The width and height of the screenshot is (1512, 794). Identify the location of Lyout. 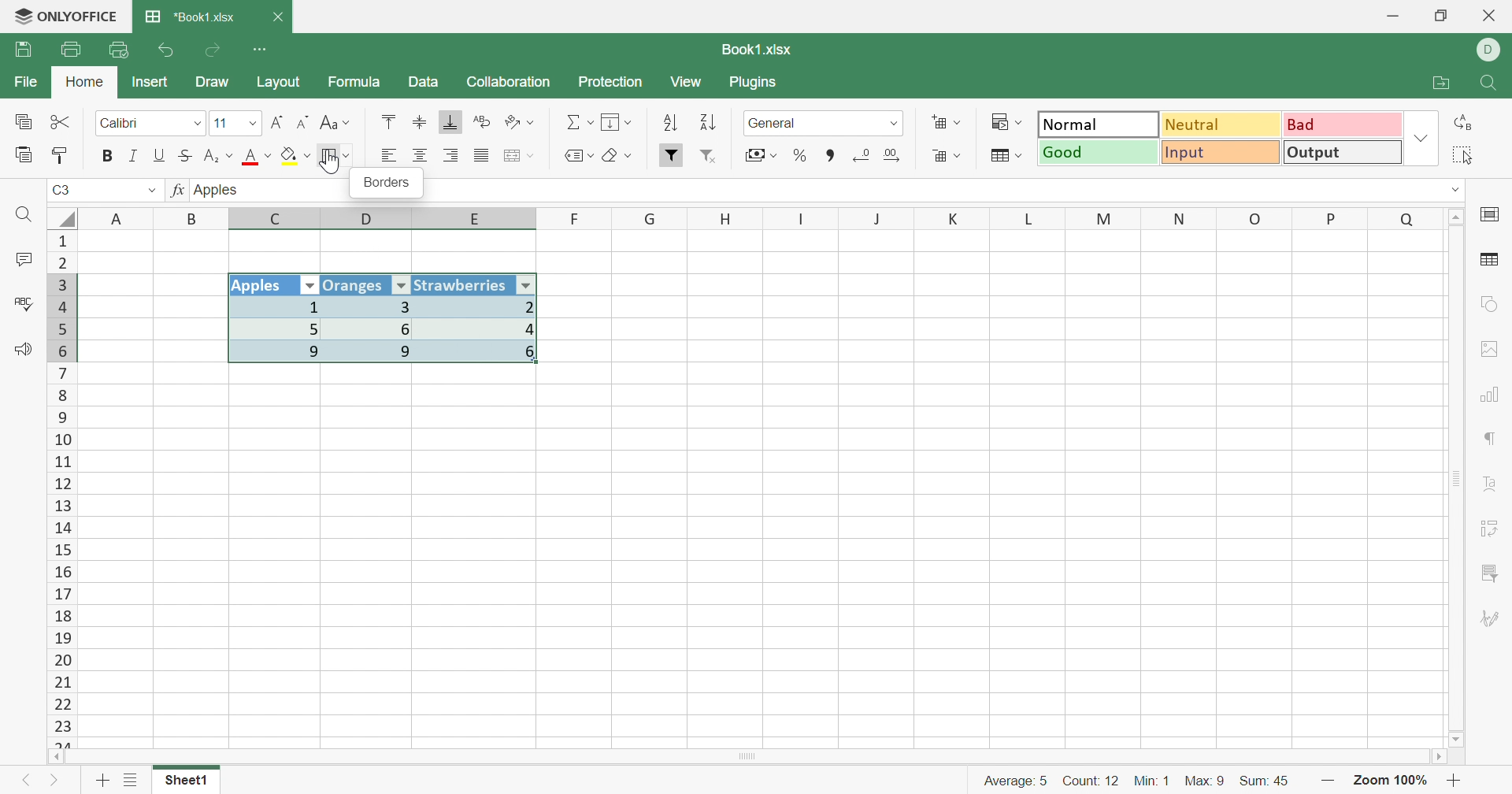
(278, 83).